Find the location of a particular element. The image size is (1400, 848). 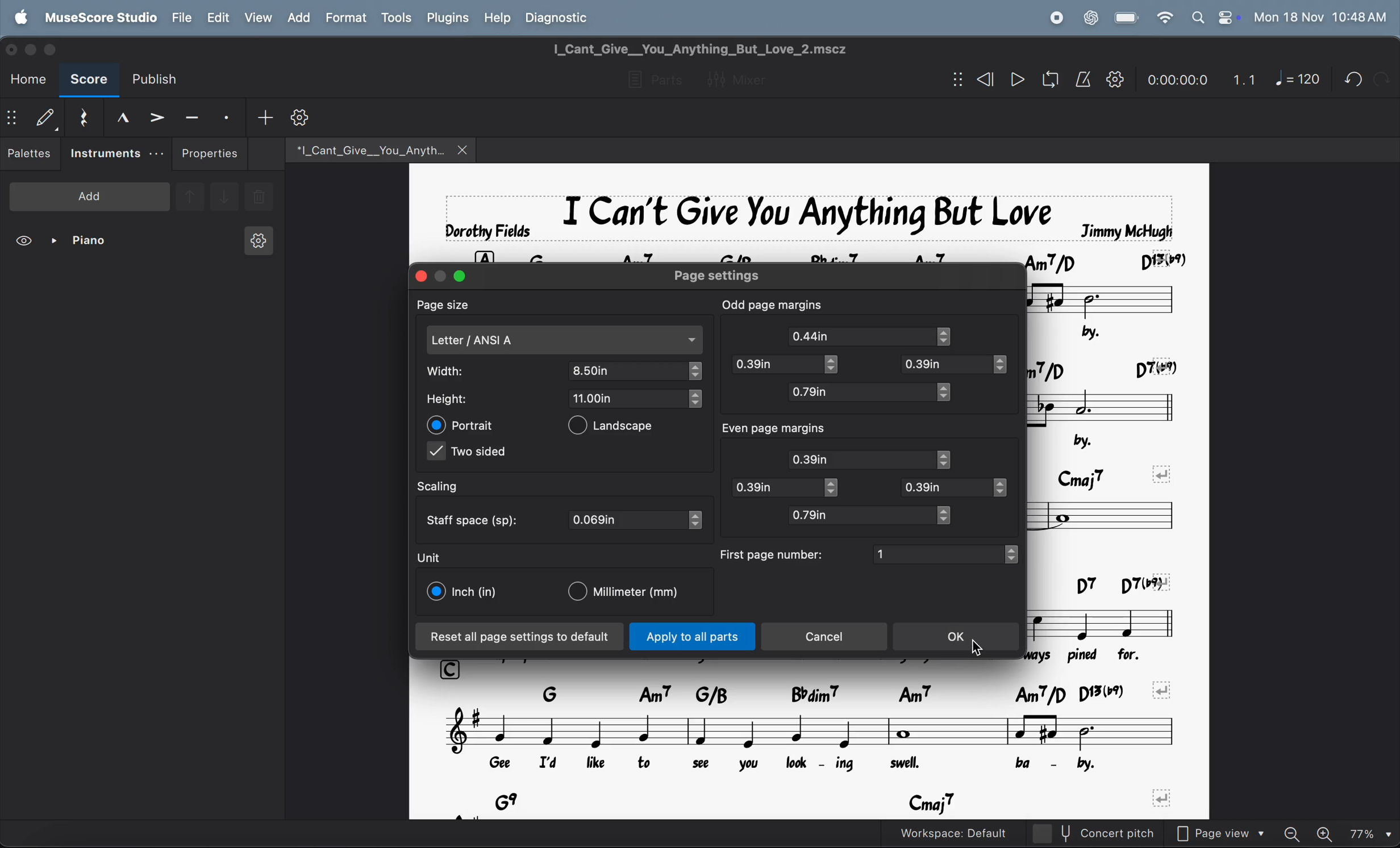

format is located at coordinates (345, 18).